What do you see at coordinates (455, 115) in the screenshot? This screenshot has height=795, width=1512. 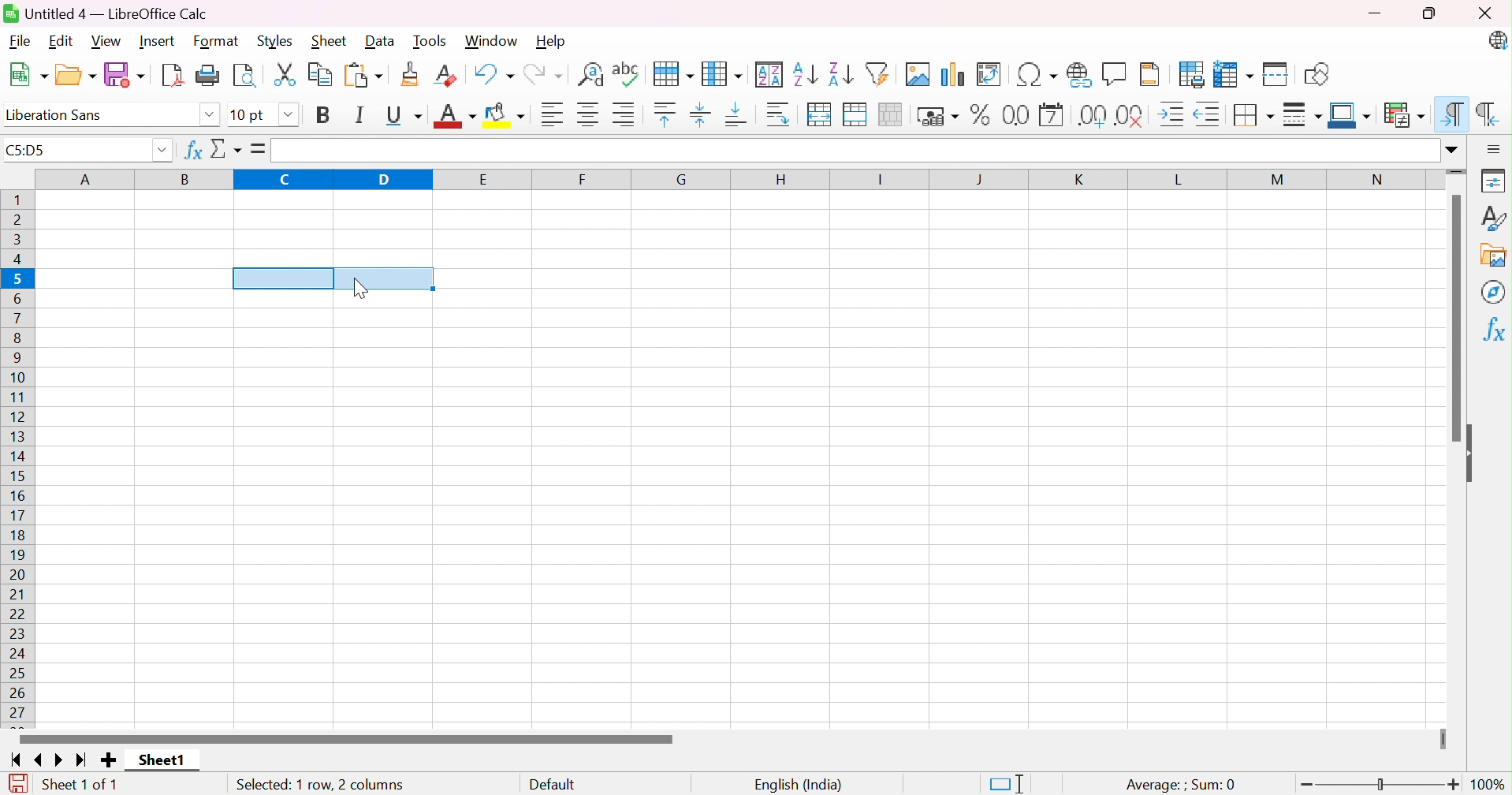 I see `Font Color` at bounding box center [455, 115].